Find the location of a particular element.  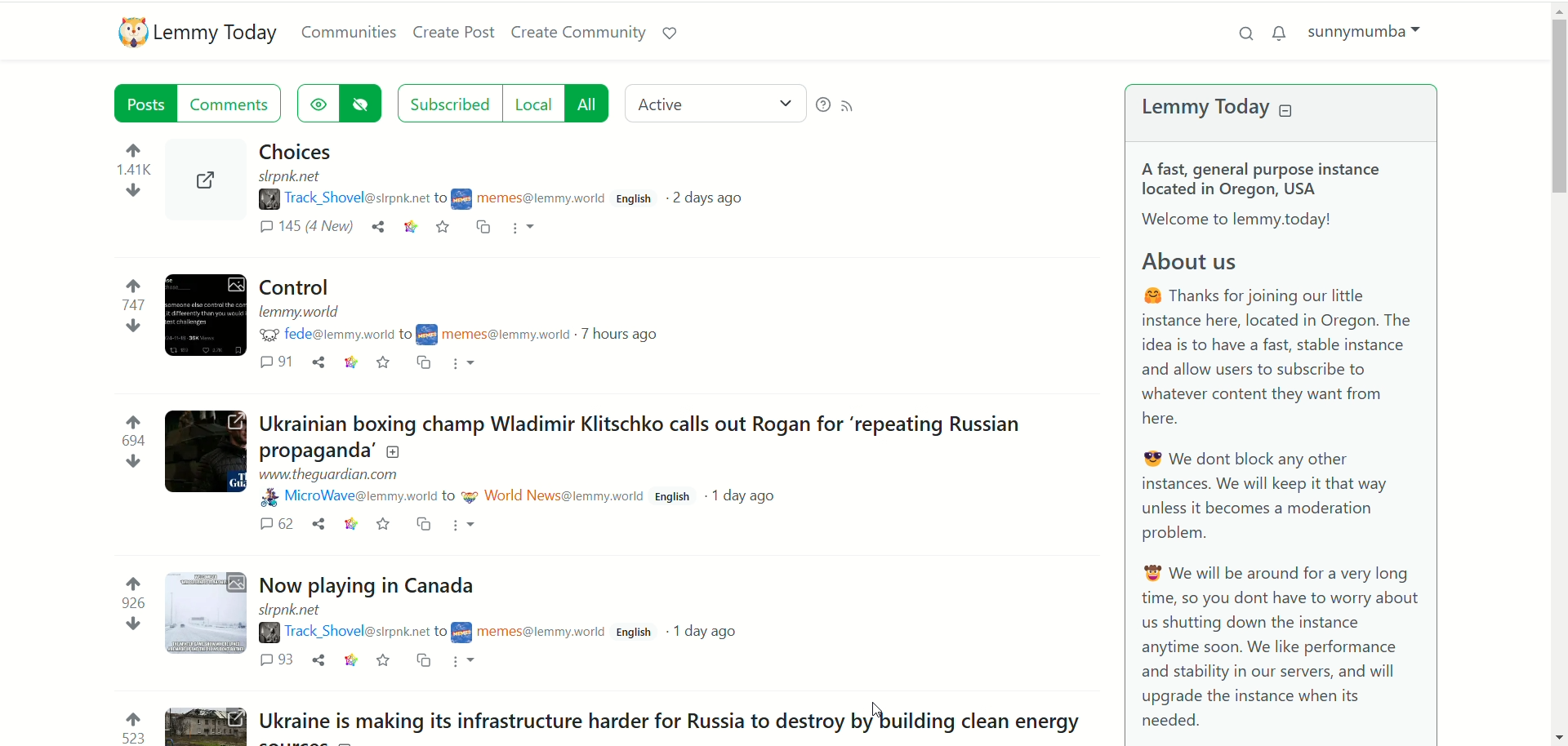

comments is located at coordinates (234, 102).